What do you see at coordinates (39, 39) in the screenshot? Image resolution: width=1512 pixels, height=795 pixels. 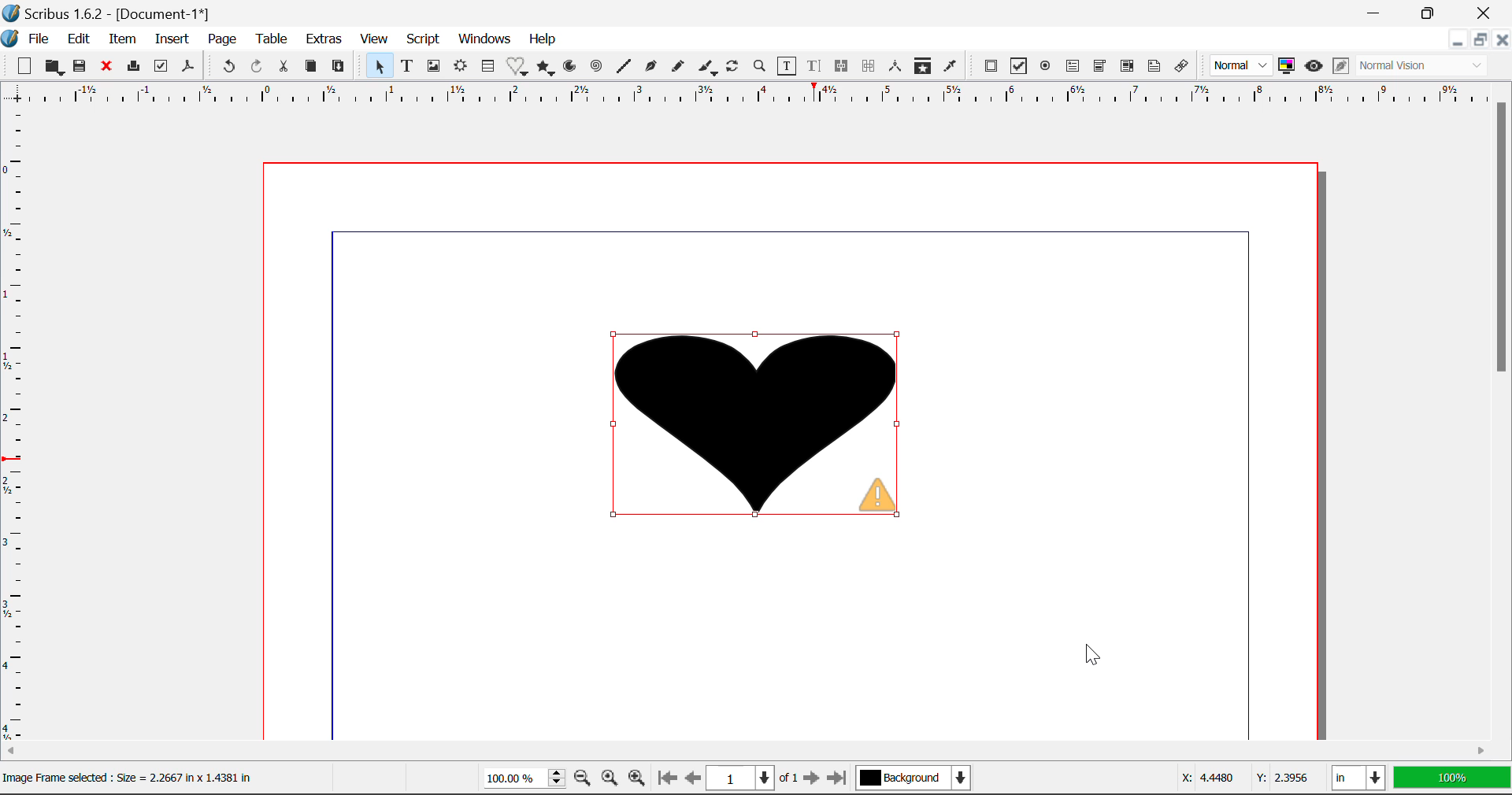 I see `File` at bounding box center [39, 39].